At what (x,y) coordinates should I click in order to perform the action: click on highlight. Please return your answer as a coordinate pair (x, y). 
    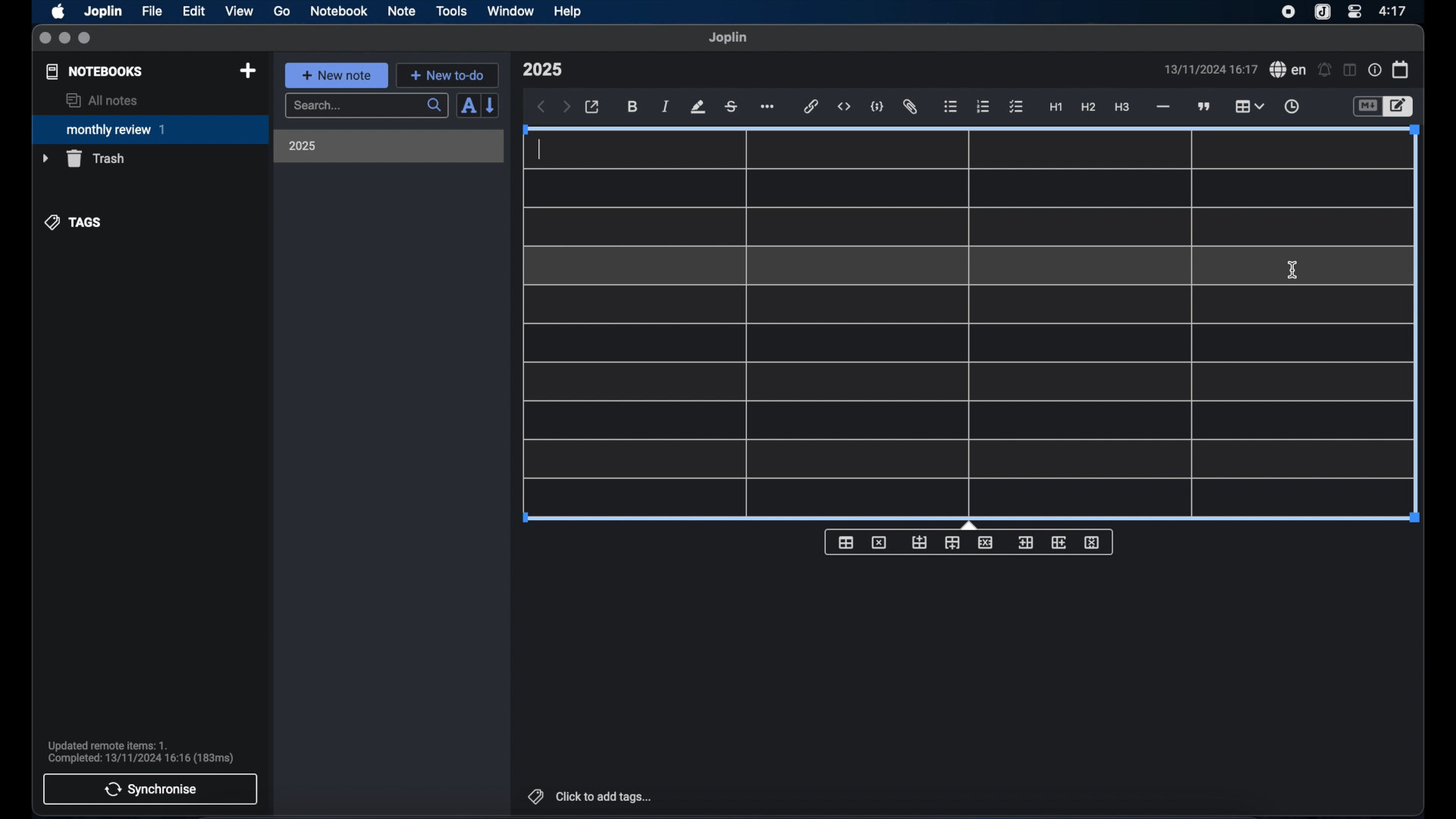
    Looking at the image, I should click on (698, 107).